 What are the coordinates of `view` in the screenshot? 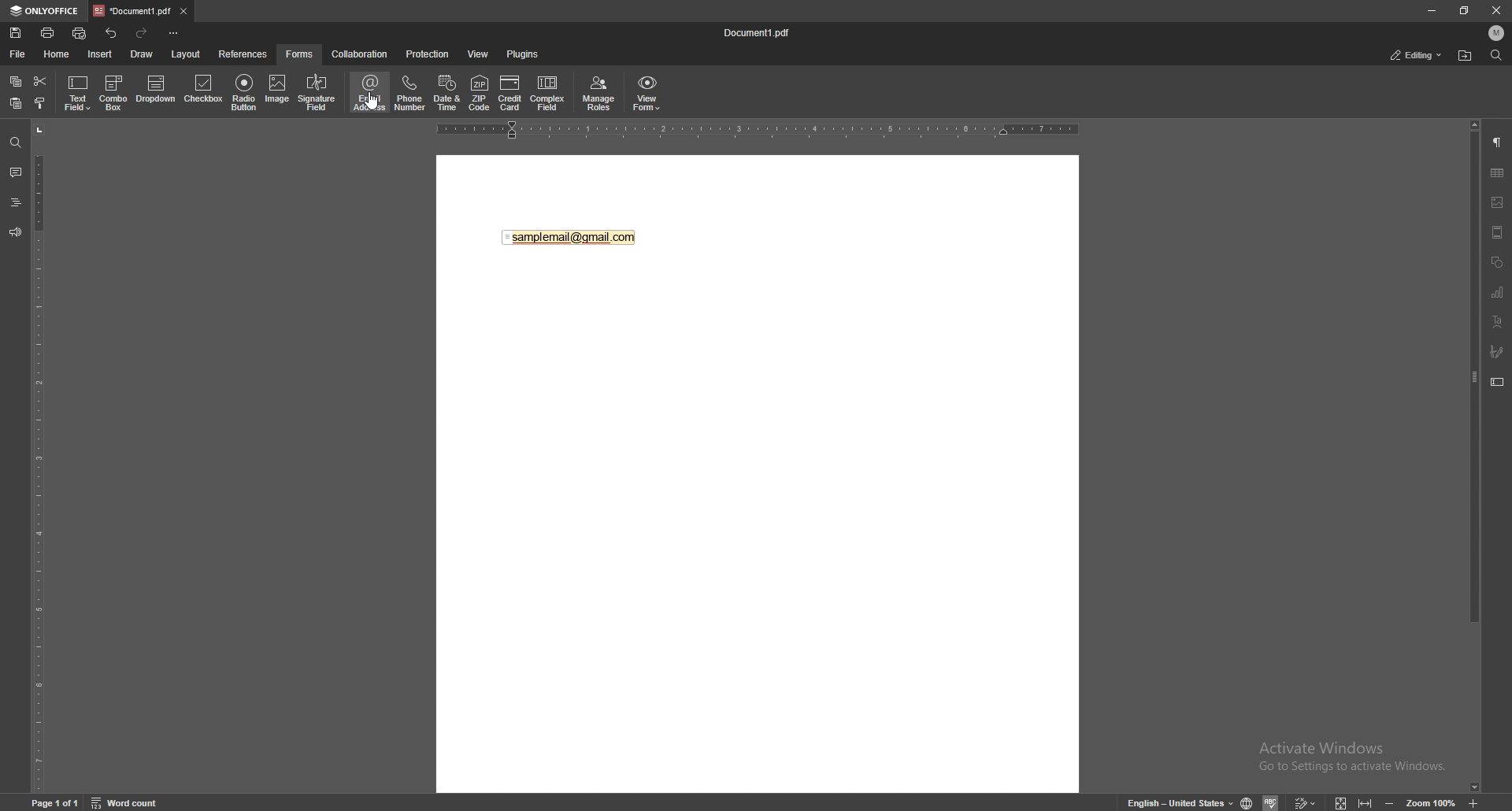 It's located at (479, 54).